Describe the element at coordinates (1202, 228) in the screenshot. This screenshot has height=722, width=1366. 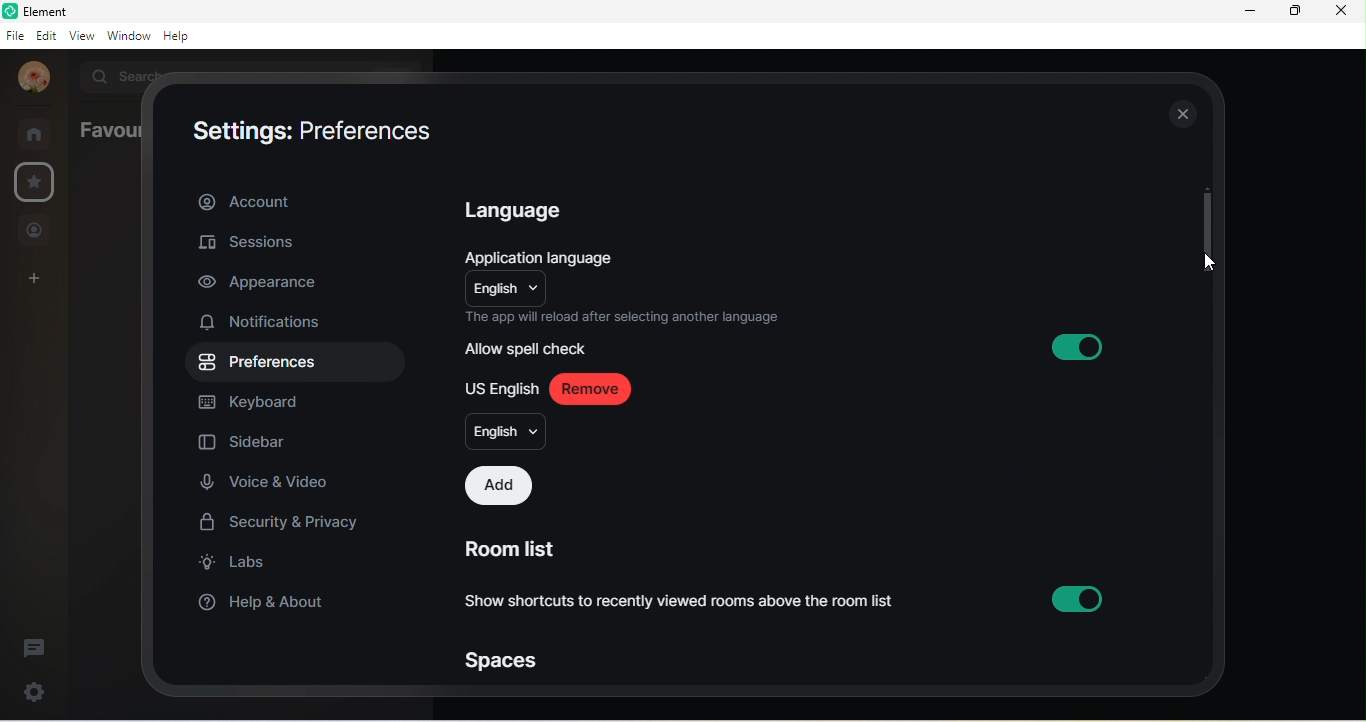
I see `vertical scroll bar` at that location.